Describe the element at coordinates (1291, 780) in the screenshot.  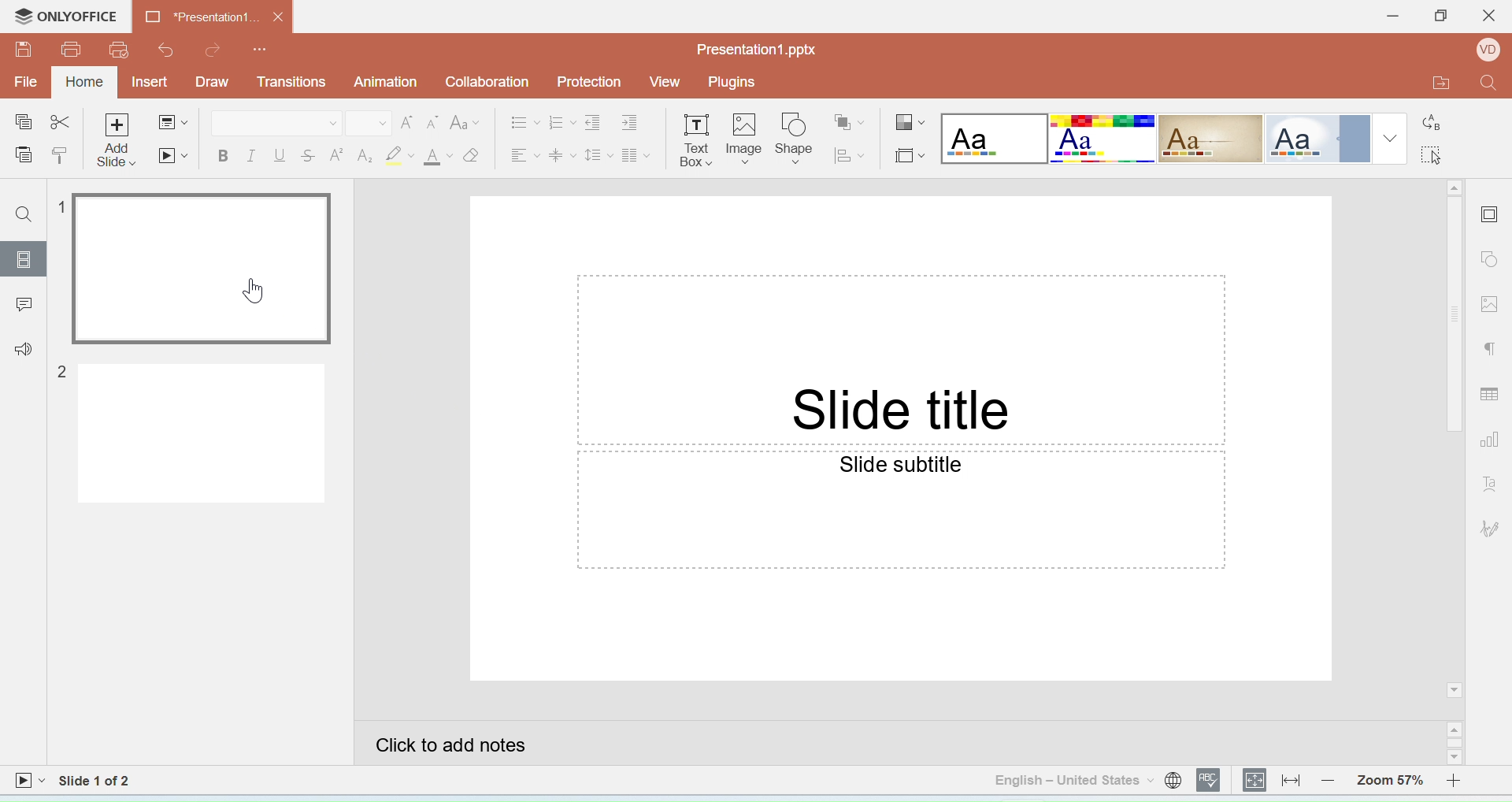
I see `Fit to width` at that location.